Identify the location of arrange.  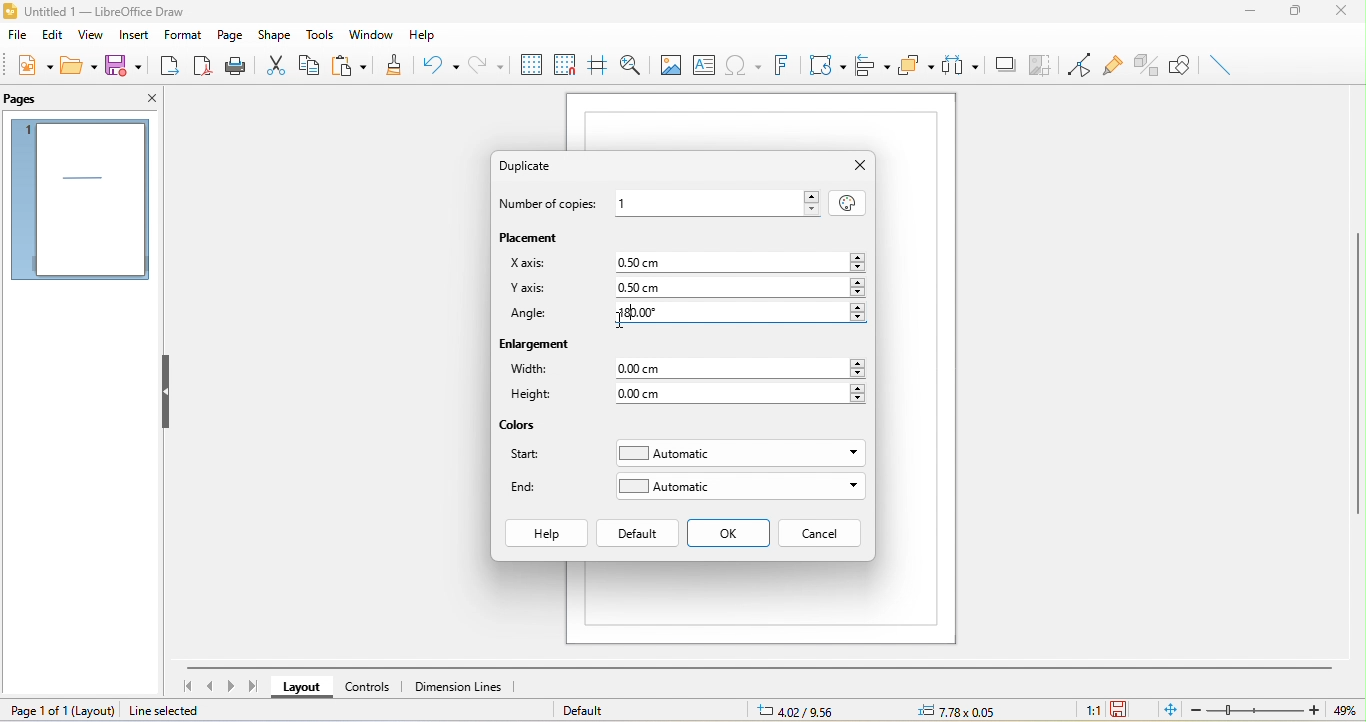
(917, 67).